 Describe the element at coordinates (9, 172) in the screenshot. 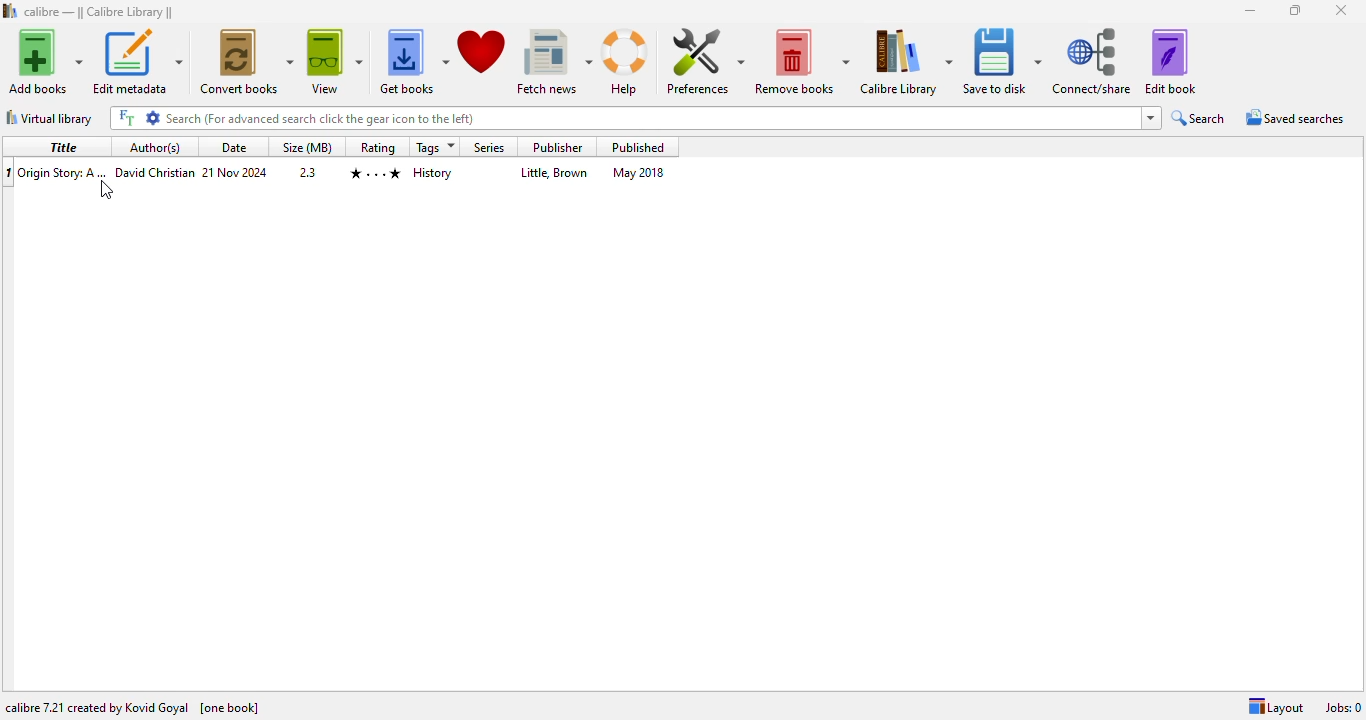

I see `index number` at that location.